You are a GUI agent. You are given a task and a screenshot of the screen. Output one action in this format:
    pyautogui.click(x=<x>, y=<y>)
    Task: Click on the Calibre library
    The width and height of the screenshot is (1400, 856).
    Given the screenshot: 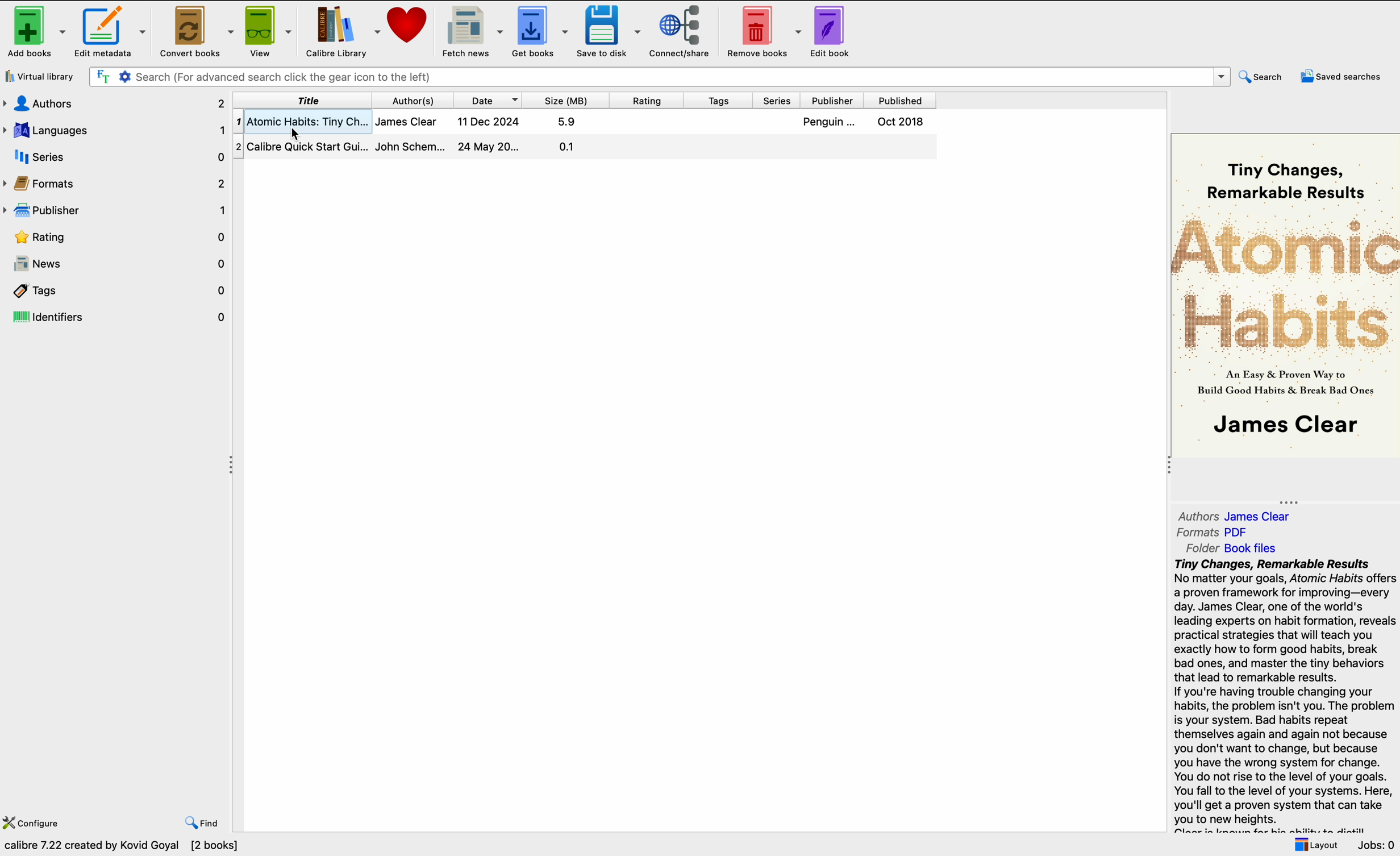 What is the action you would take?
    pyautogui.click(x=342, y=31)
    